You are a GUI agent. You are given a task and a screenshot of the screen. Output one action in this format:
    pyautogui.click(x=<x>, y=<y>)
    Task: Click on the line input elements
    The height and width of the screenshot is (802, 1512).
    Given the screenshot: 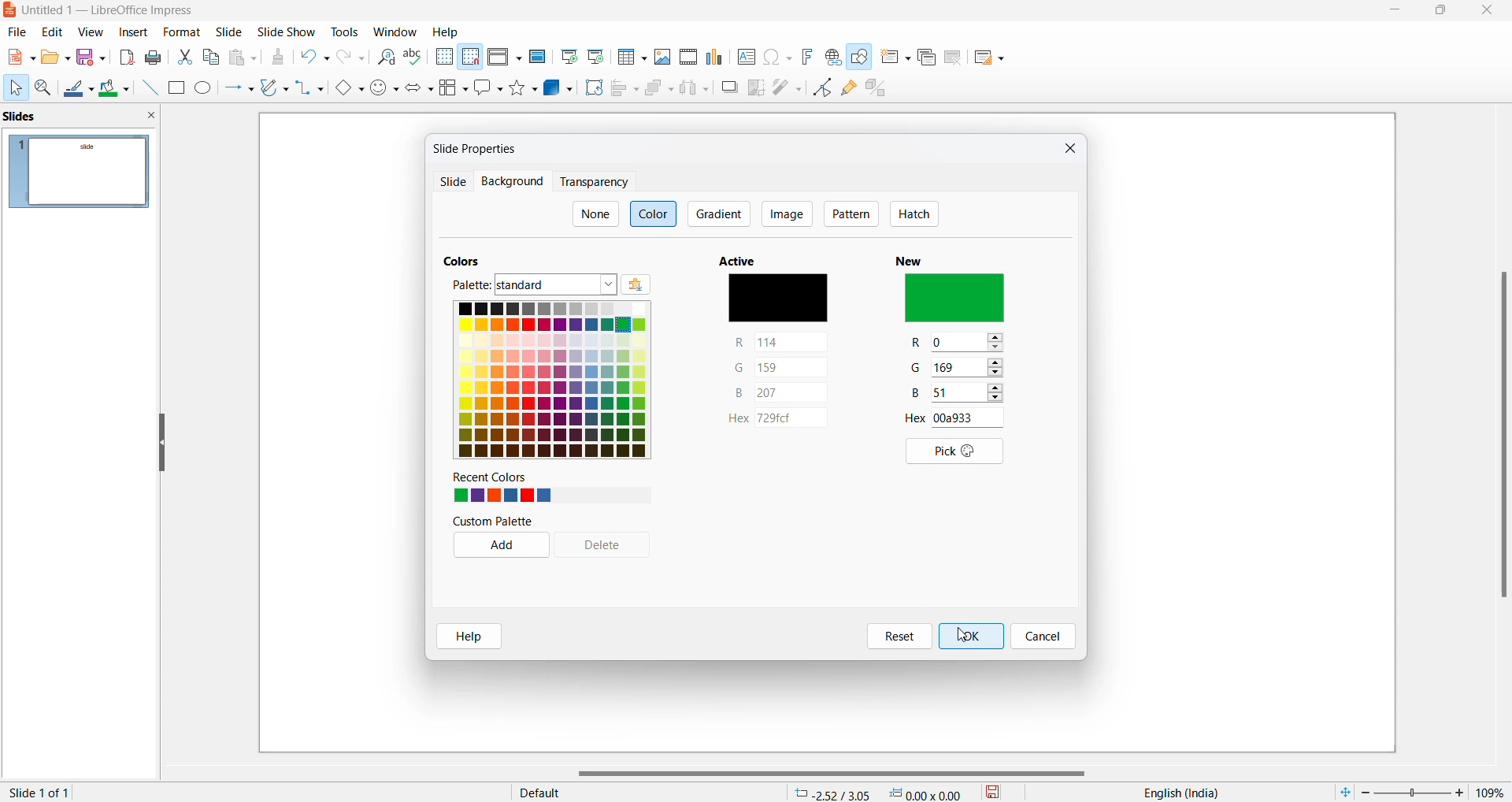 What is the action you would take?
    pyautogui.click(x=148, y=88)
    